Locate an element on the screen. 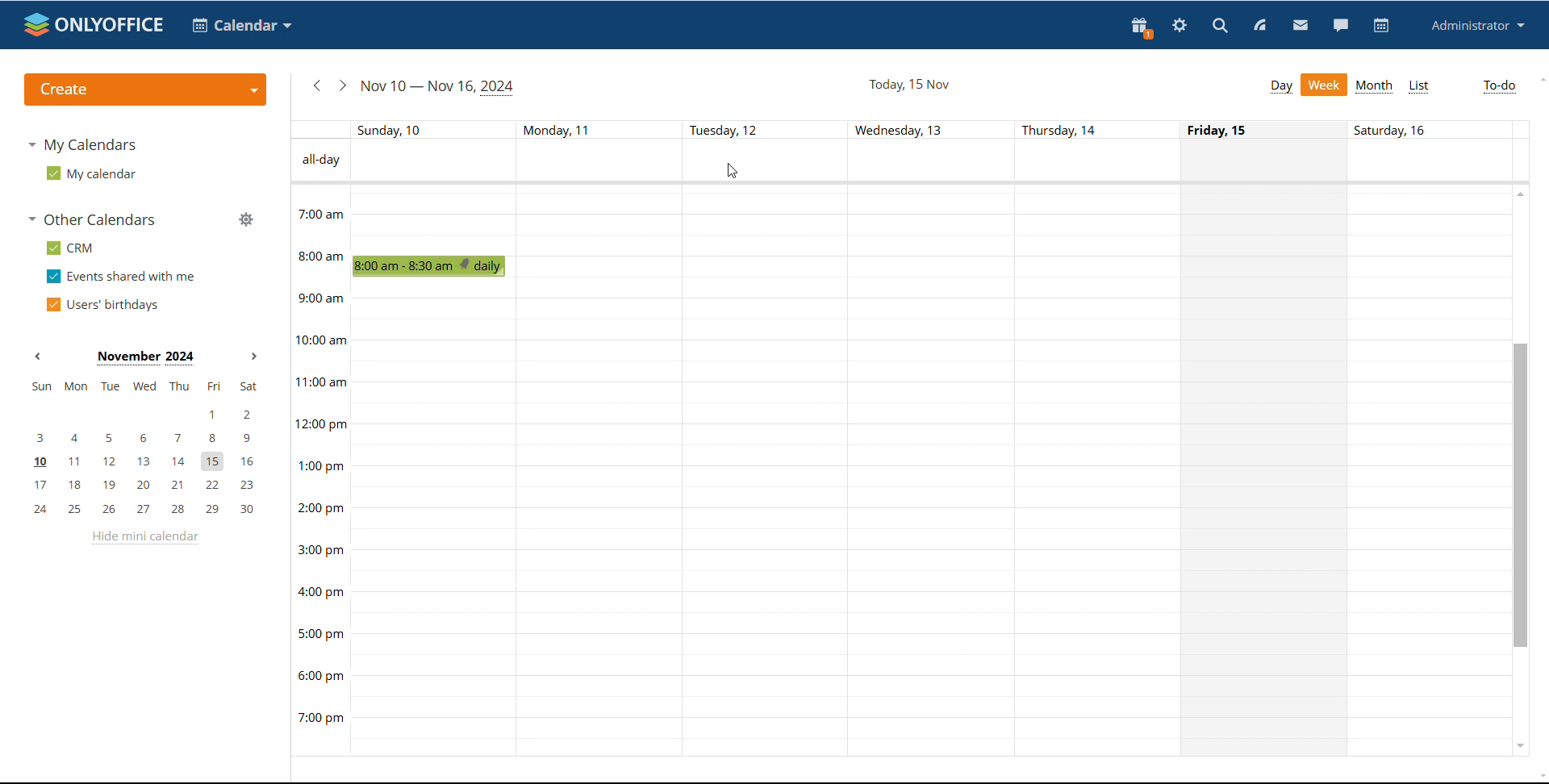 Image resolution: width=1549 pixels, height=784 pixels. current date is located at coordinates (439, 88).